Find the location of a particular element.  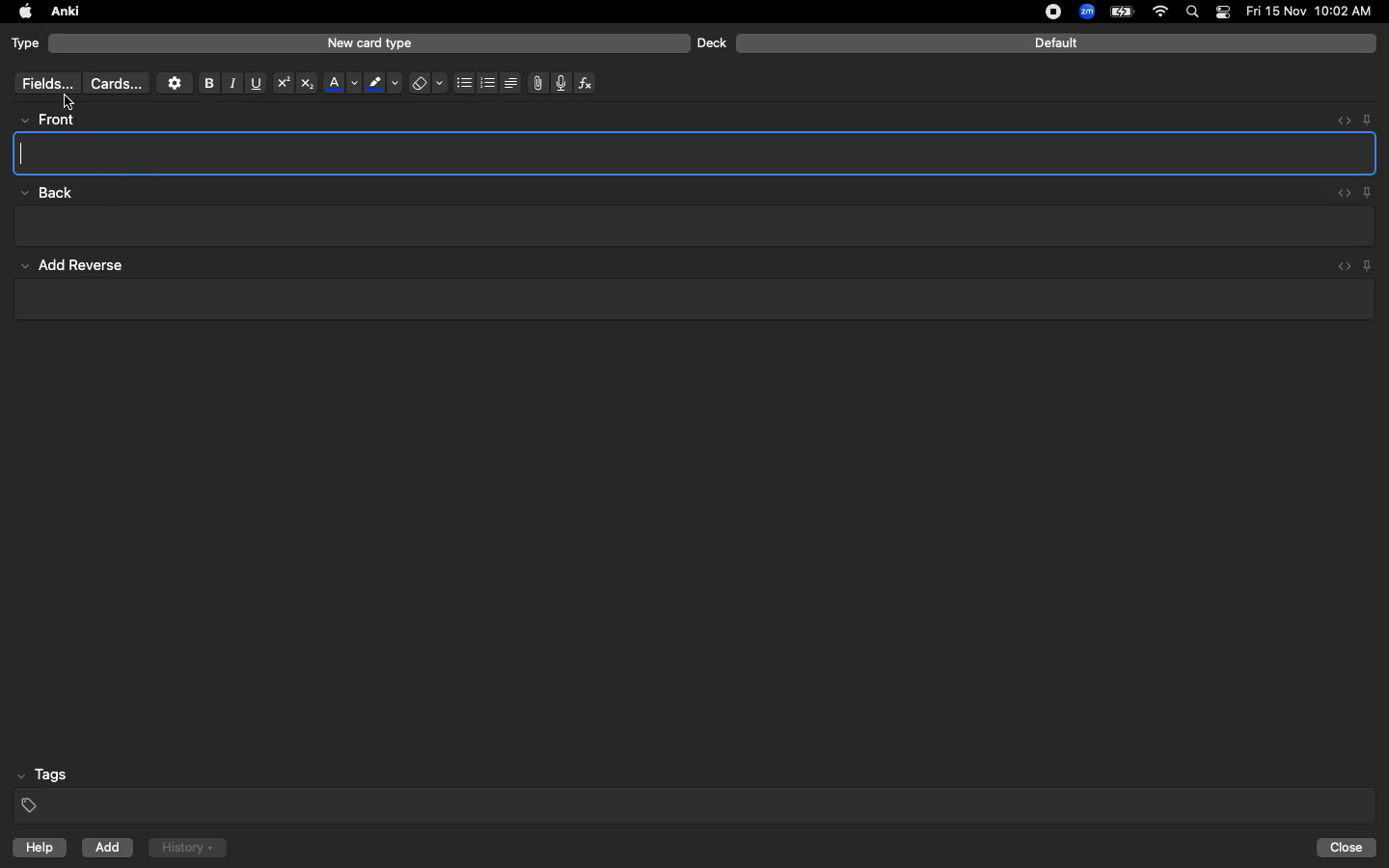

Font color is located at coordinates (340, 83).